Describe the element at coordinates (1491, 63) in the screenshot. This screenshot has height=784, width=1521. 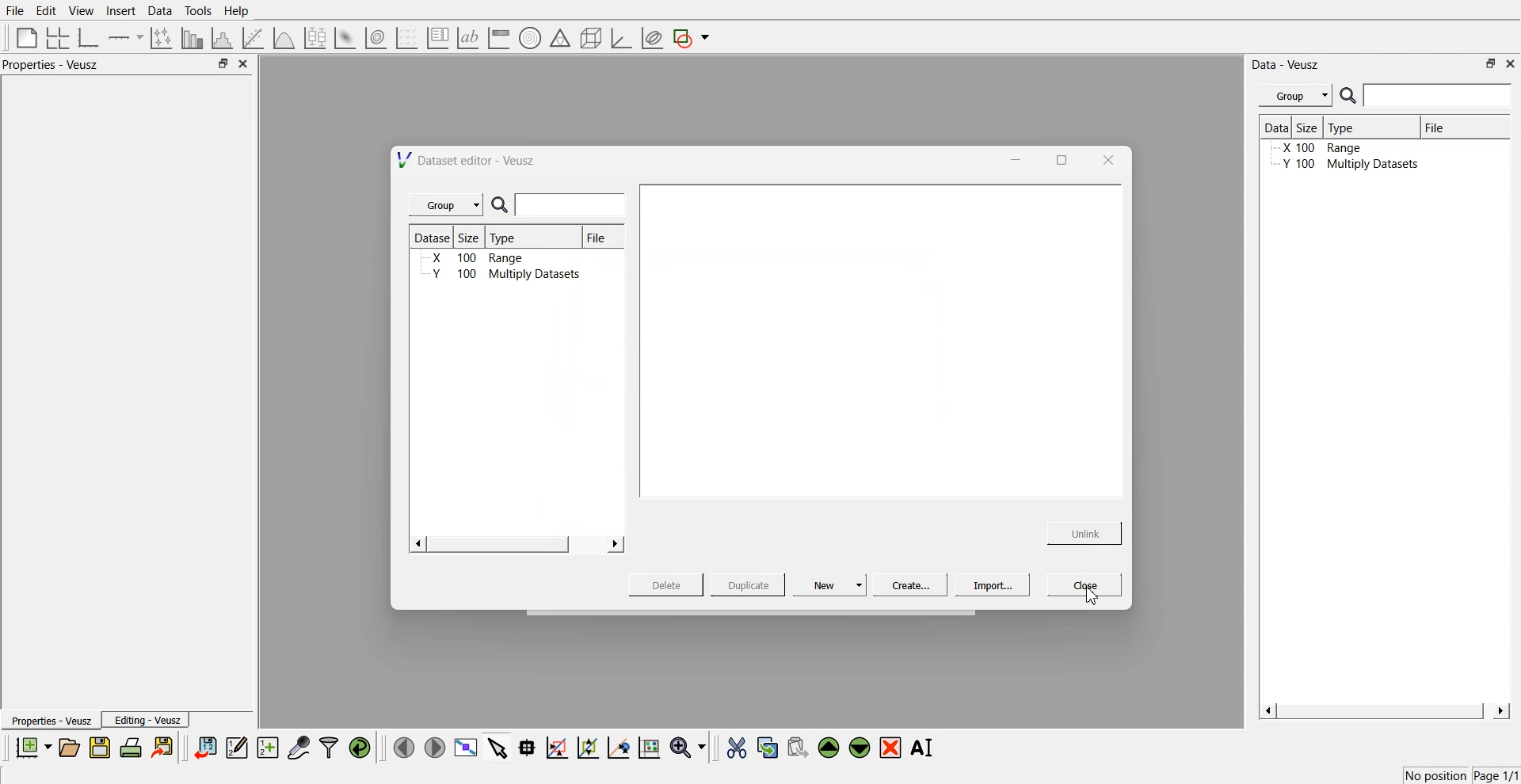
I see `minimise or maximise` at that location.